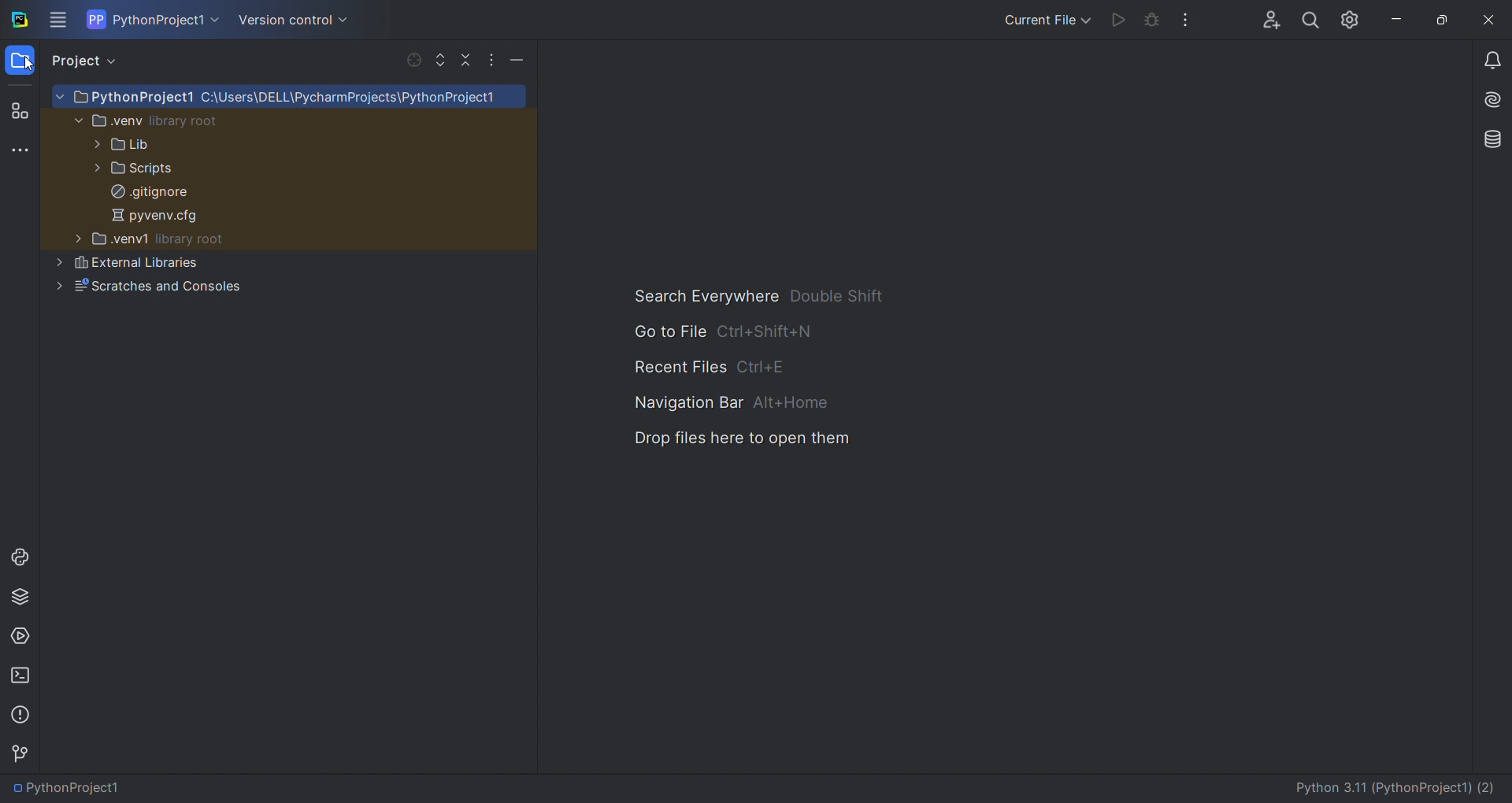 This screenshot has height=803, width=1512. What do you see at coordinates (1152, 19) in the screenshot?
I see `debug` at bounding box center [1152, 19].